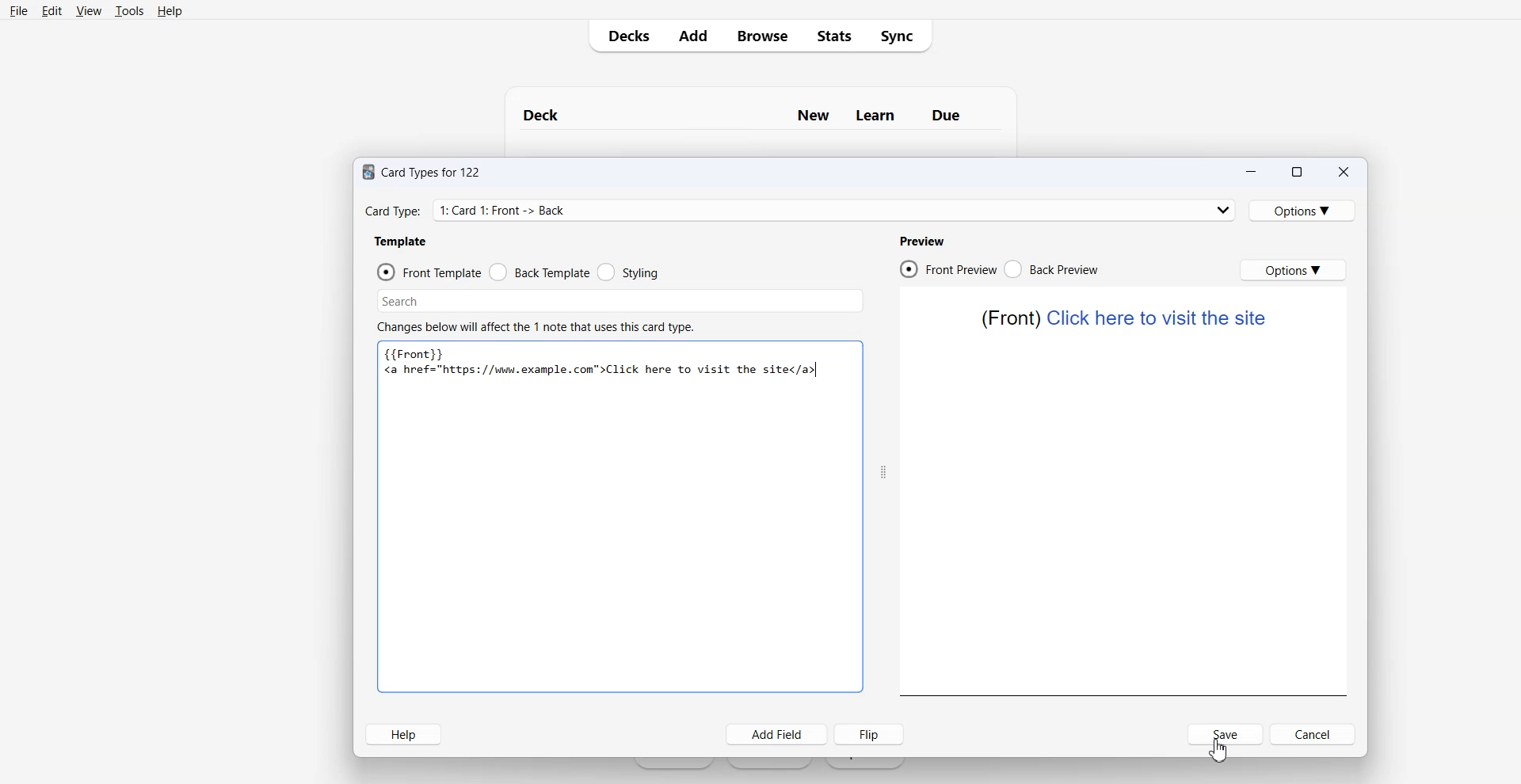 The image size is (1521, 784). Describe the element at coordinates (51, 10) in the screenshot. I see `Edit` at that location.